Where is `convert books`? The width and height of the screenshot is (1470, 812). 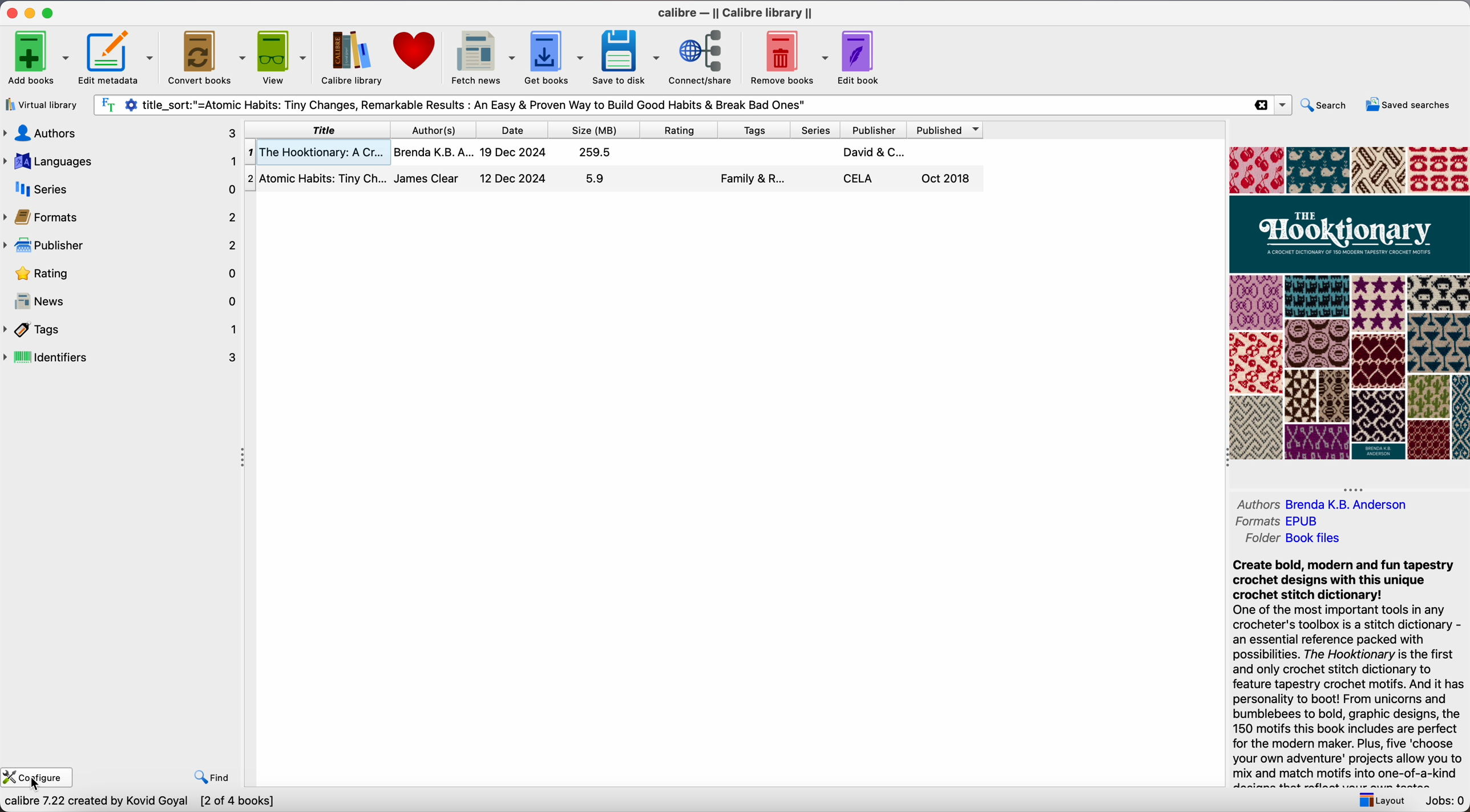 convert books is located at coordinates (208, 56).